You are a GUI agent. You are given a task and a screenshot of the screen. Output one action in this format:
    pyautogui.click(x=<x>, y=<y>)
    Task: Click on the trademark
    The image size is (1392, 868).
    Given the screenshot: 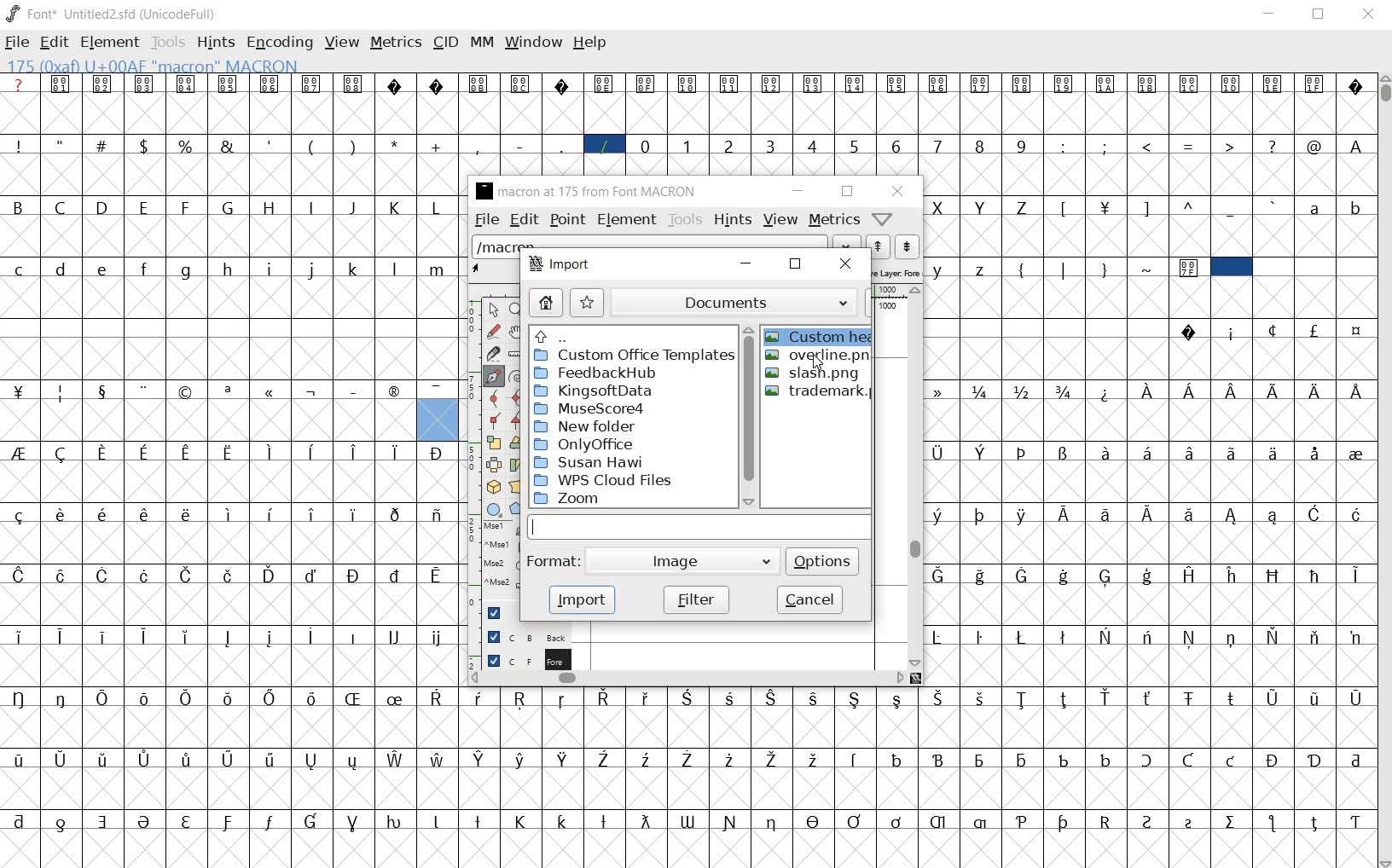 What is the action you would take?
    pyautogui.click(x=819, y=391)
    